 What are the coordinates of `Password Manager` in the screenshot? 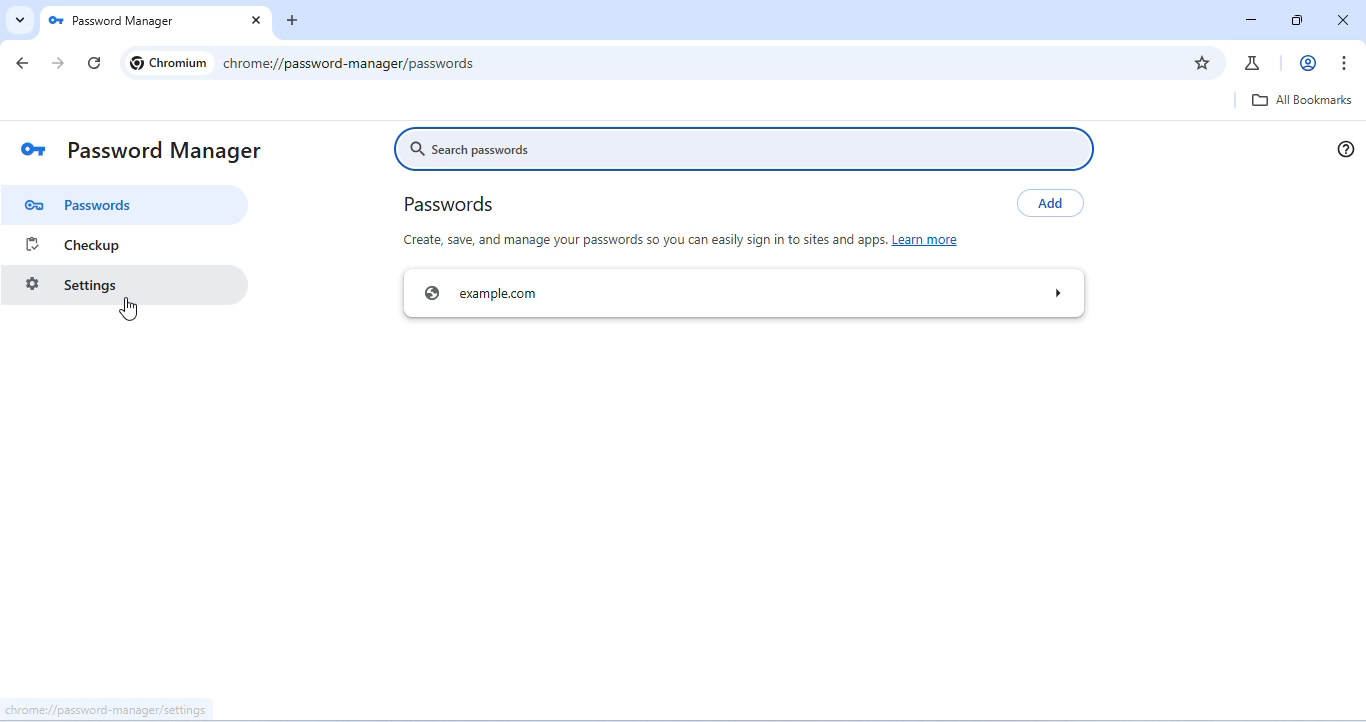 It's located at (152, 21).